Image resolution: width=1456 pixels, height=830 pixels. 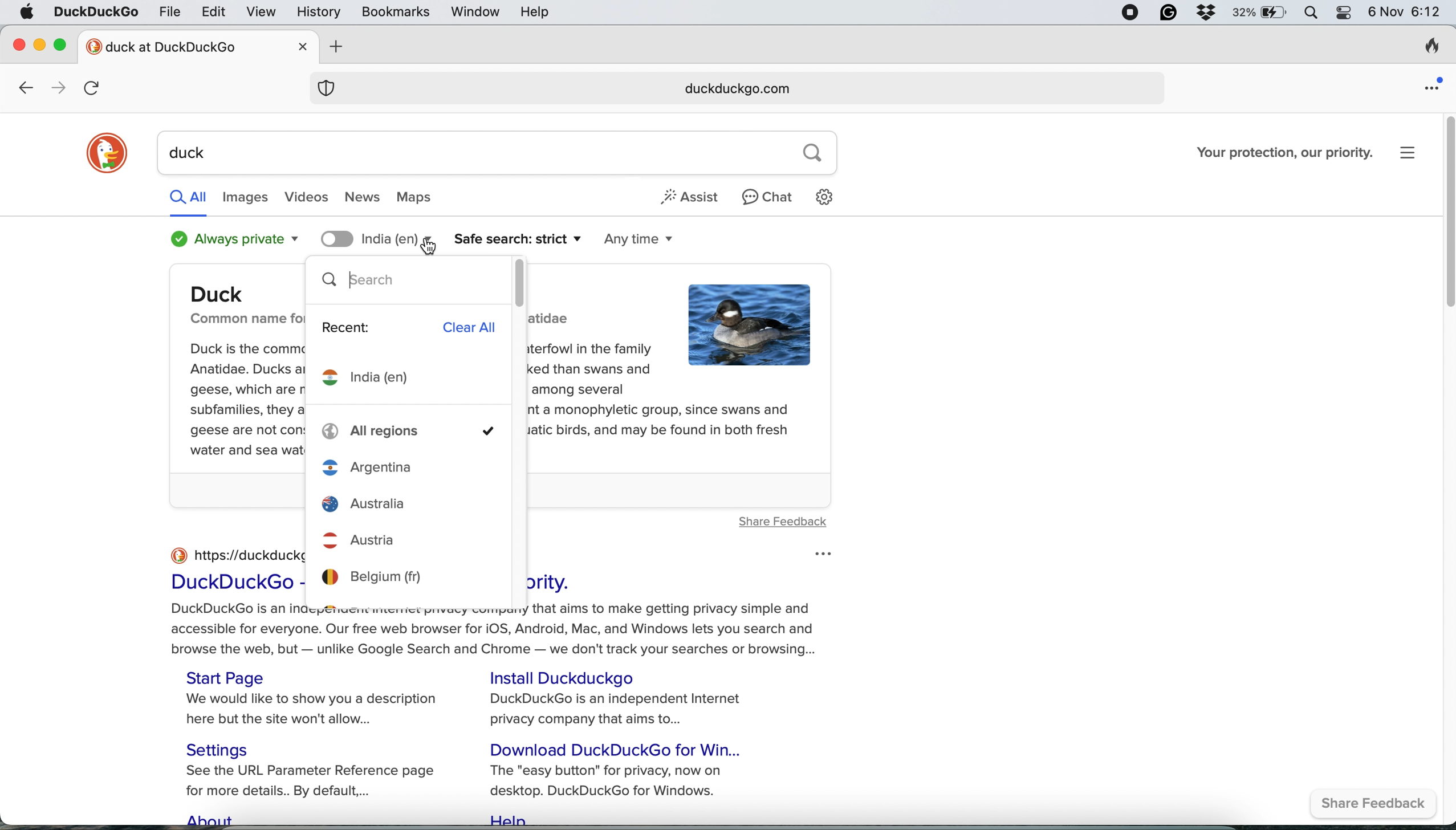 What do you see at coordinates (1312, 13) in the screenshot?
I see `spotlight search` at bounding box center [1312, 13].